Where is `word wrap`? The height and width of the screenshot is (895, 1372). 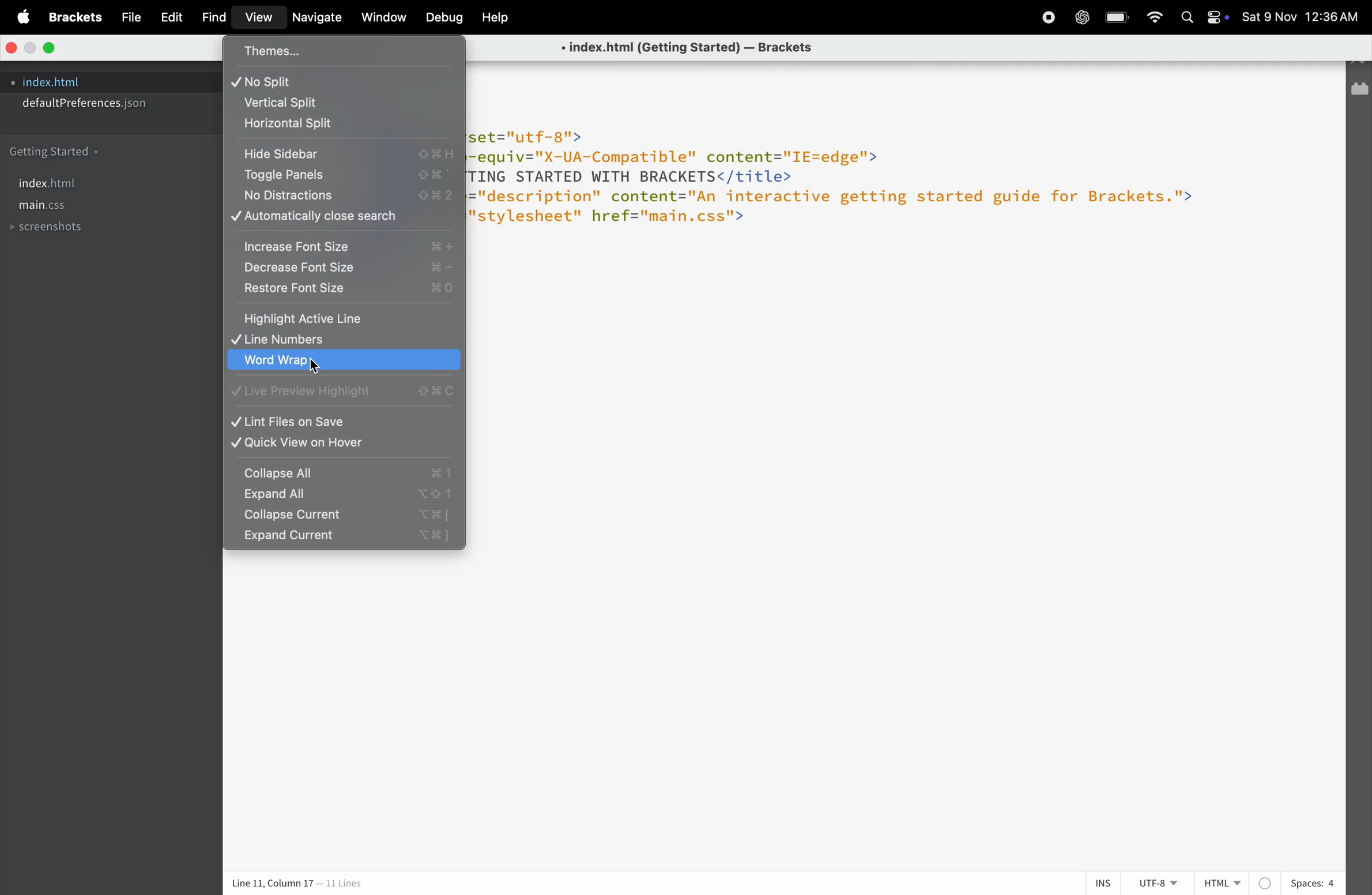
word wrap is located at coordinates (342, 363).